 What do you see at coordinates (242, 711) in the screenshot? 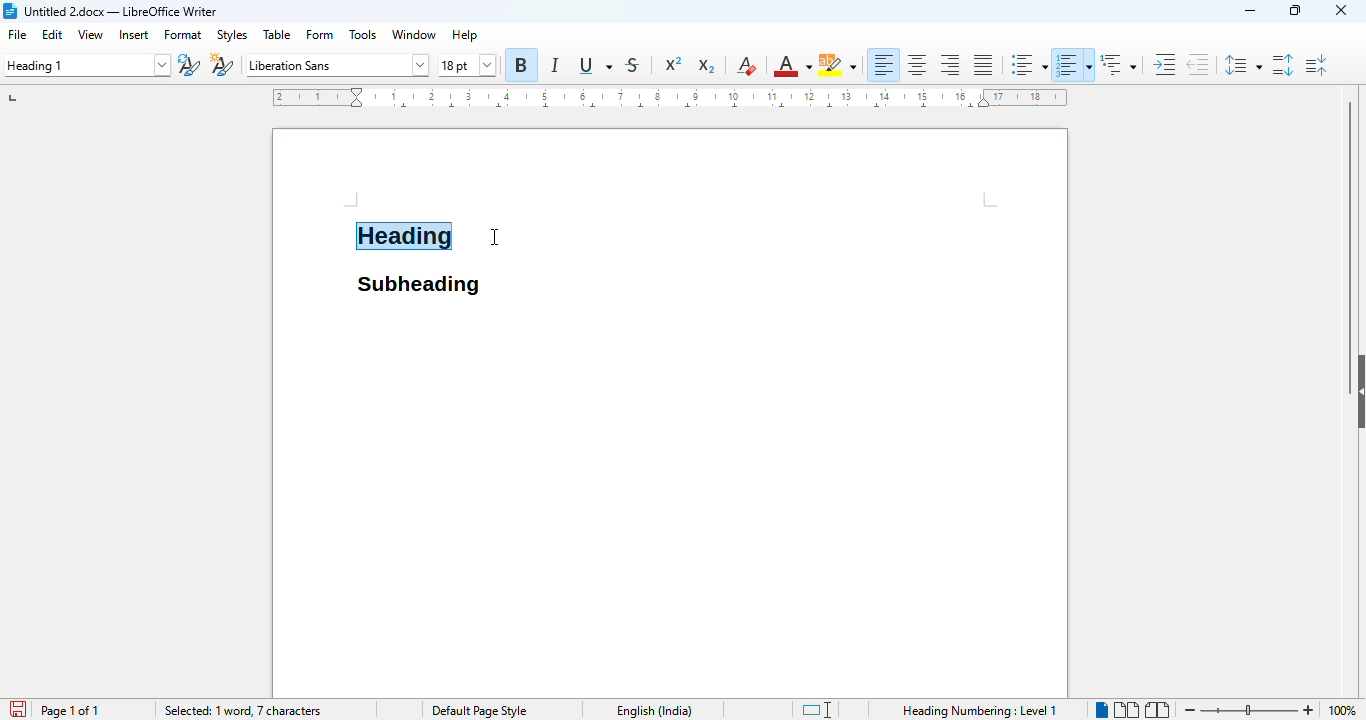
I see `selected: 1 word, 7 characters` at bounding box center [242, 711].